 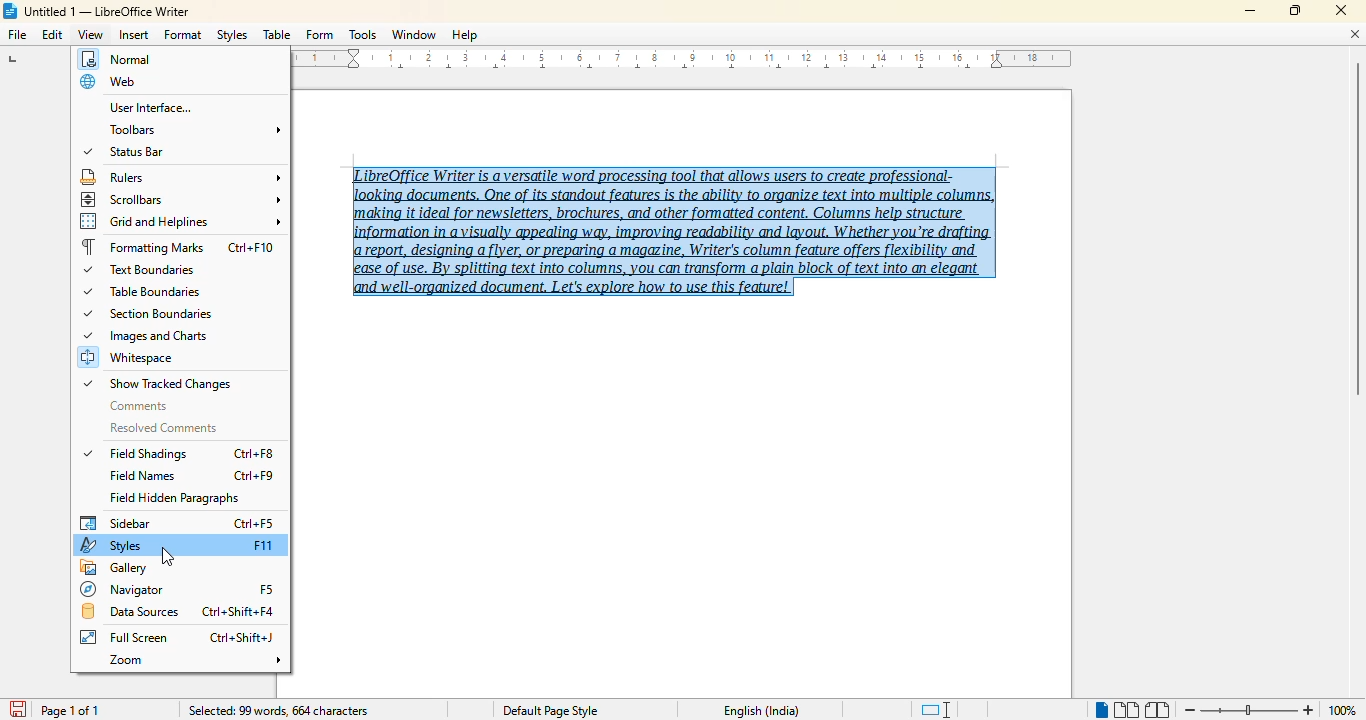 I want to click on tab stop, so click(x=22, y=60).